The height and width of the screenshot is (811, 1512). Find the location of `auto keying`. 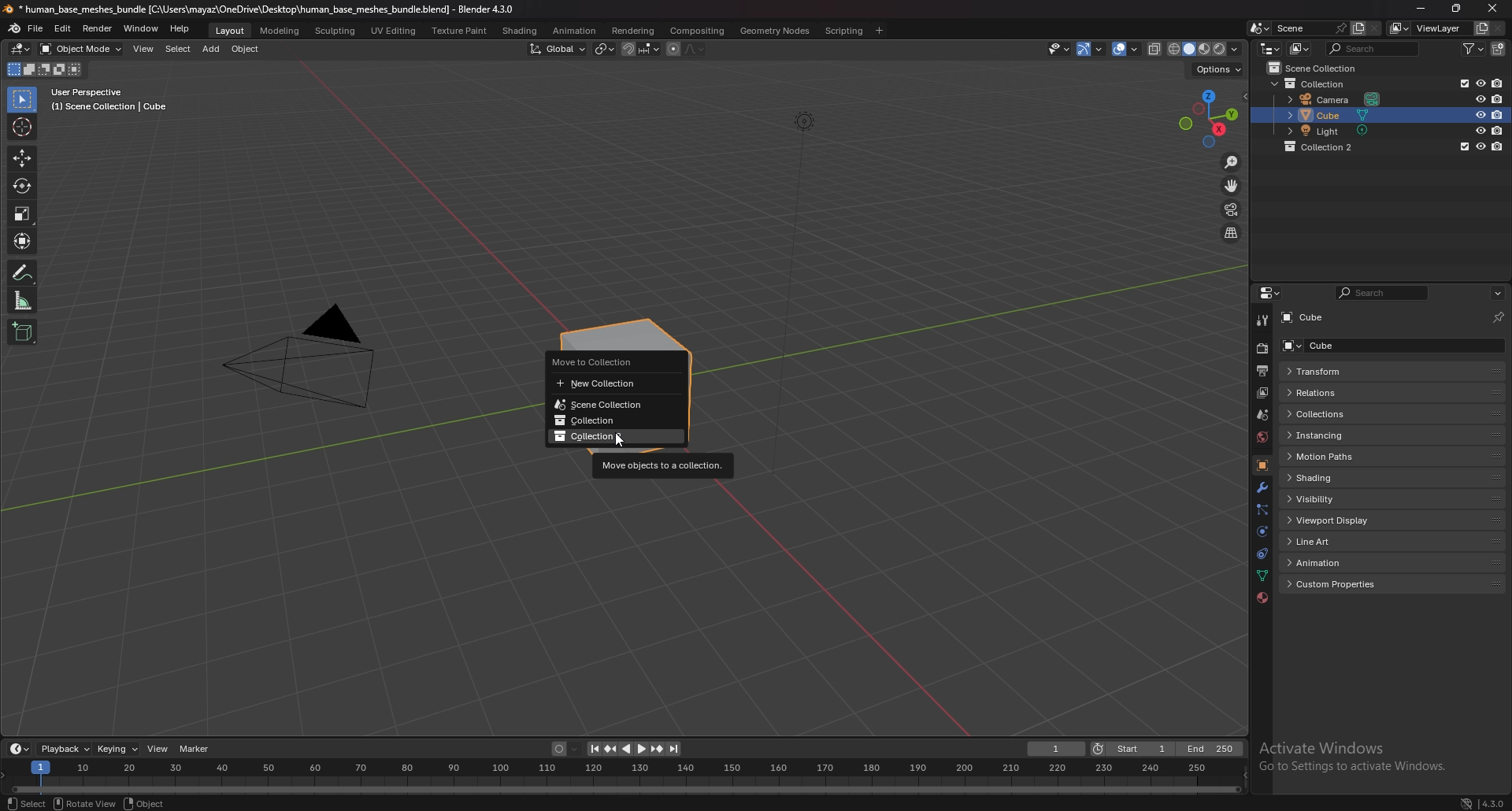

auto keying is located at coordinates (567, 749).